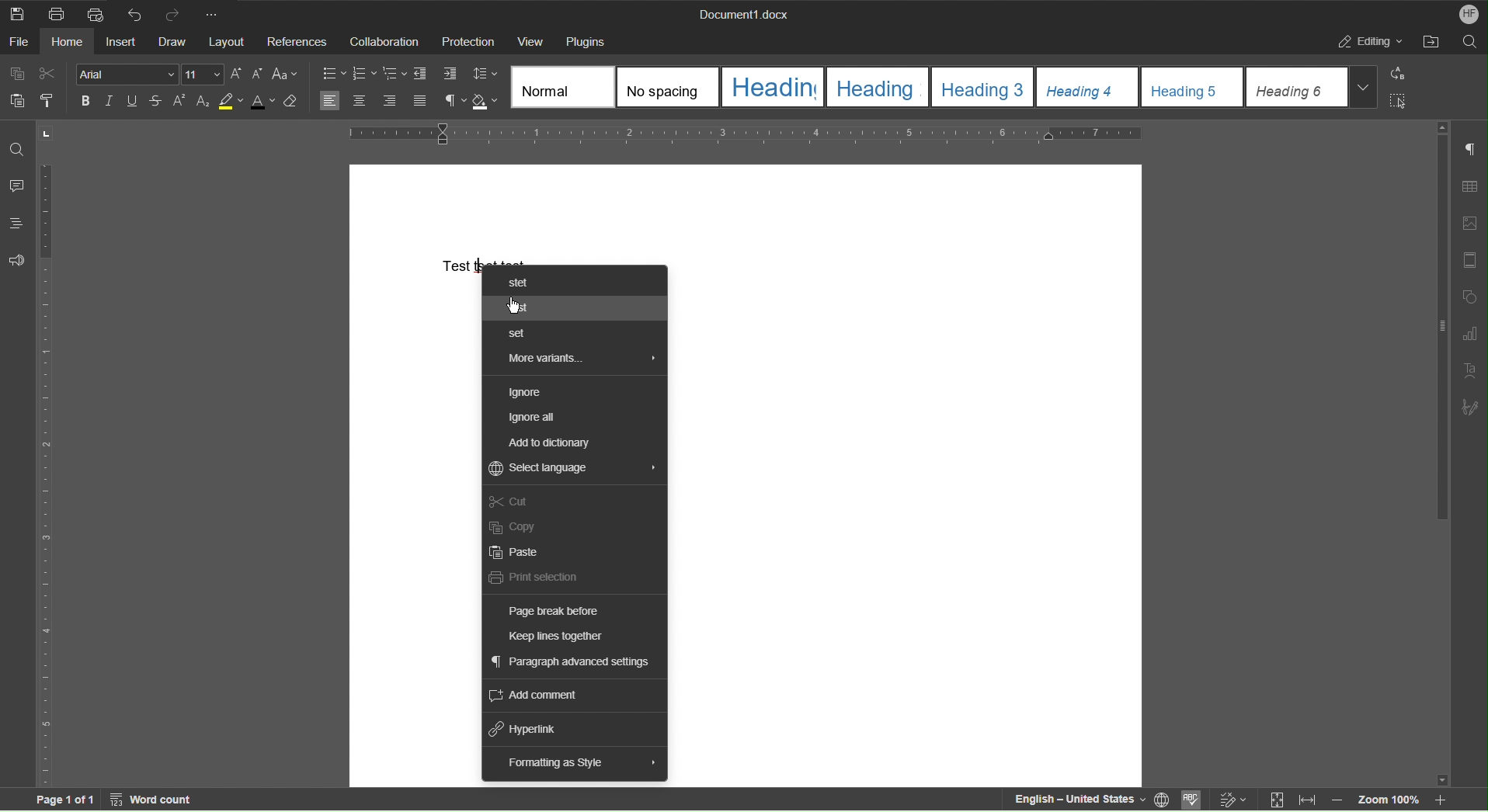 Image resolution: width=1488 pixels, height=812 pixels. I want to click on Normal, so click(564, 86).